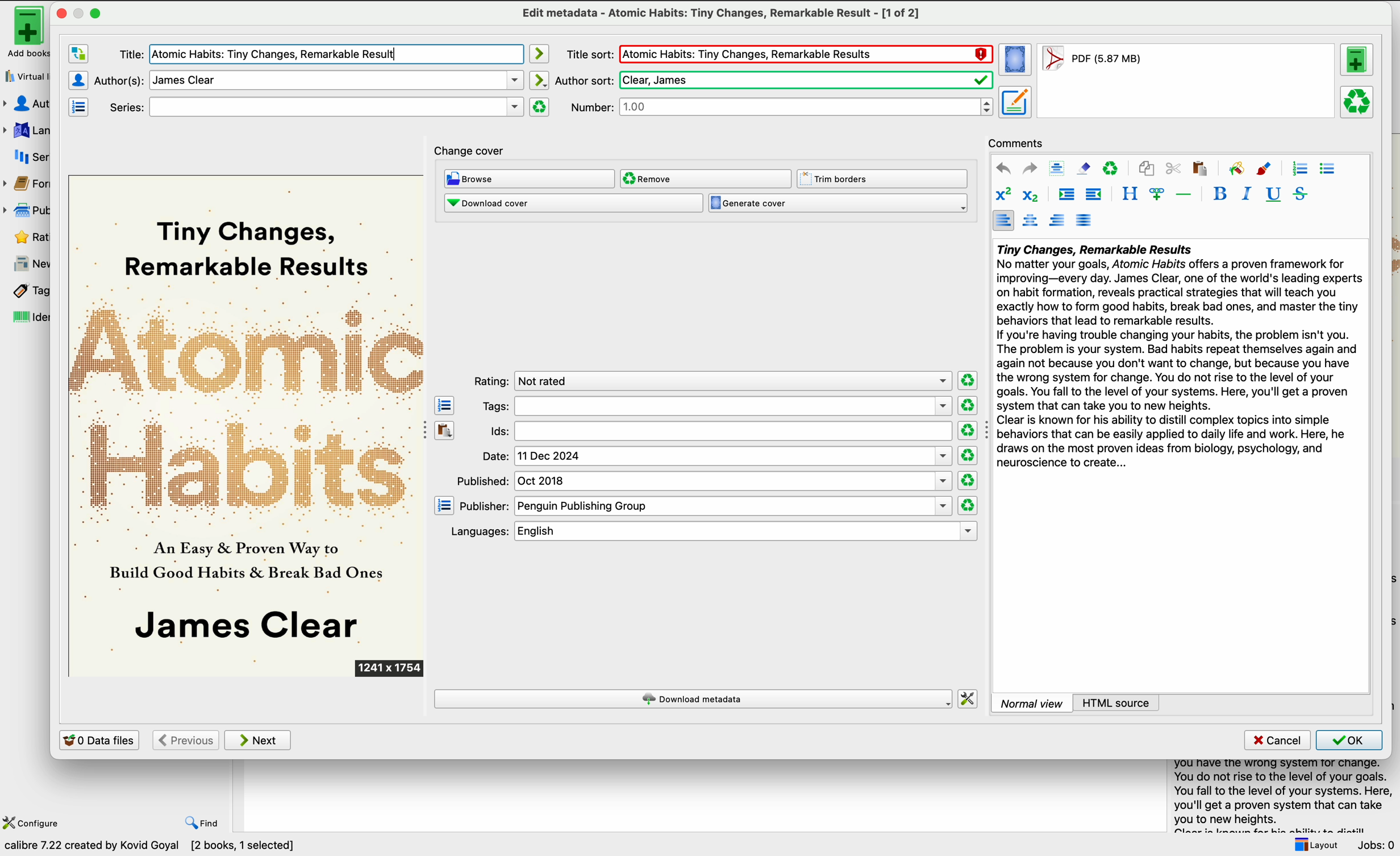  What do you see at coordinates (716, 456) in the screenshot?
I see `date` at bounding box center [716, 456].